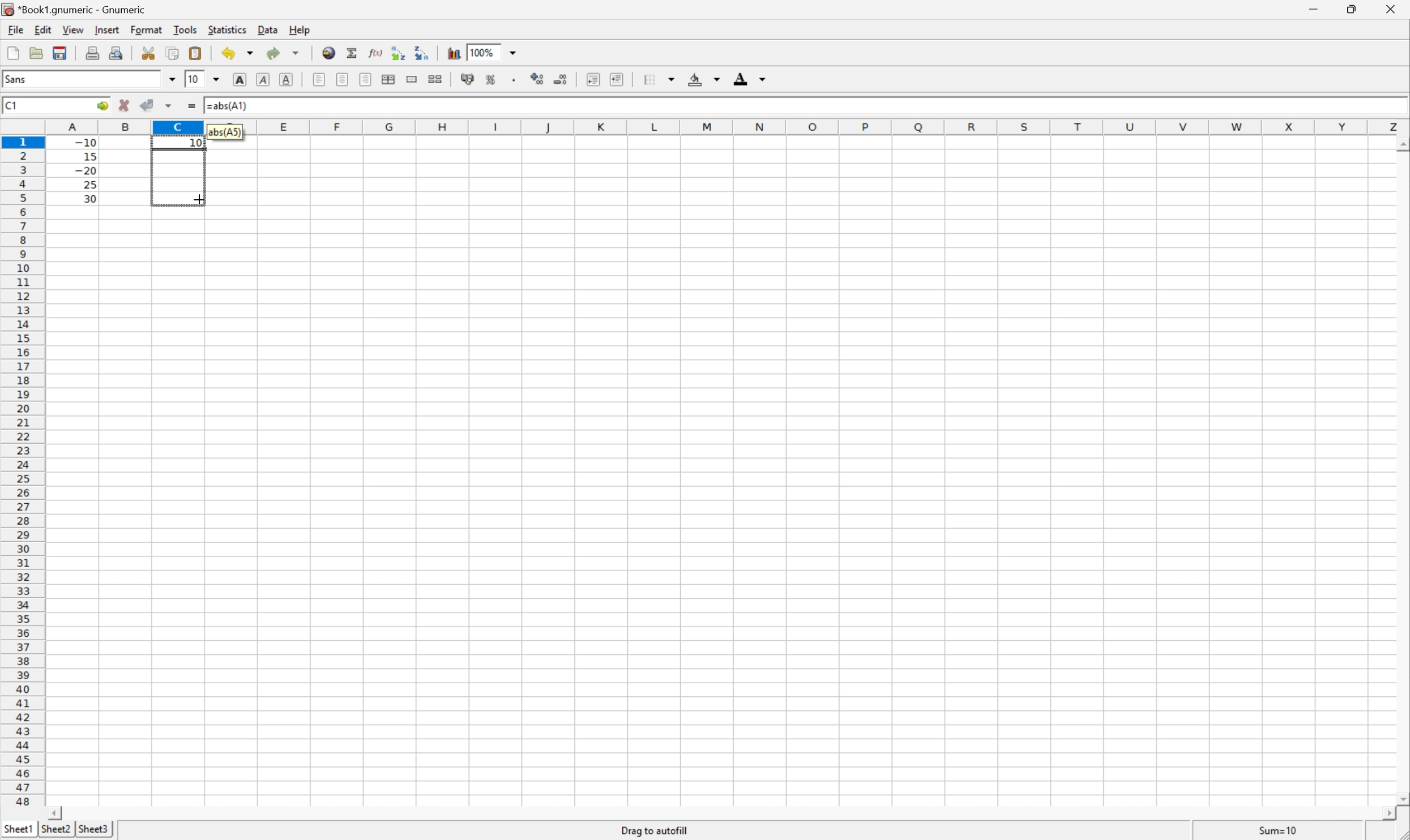 The image size is (1410, 840). Describe the element at coordinates (716, 80) in the screenshot. I see `Drop Down` at that location.